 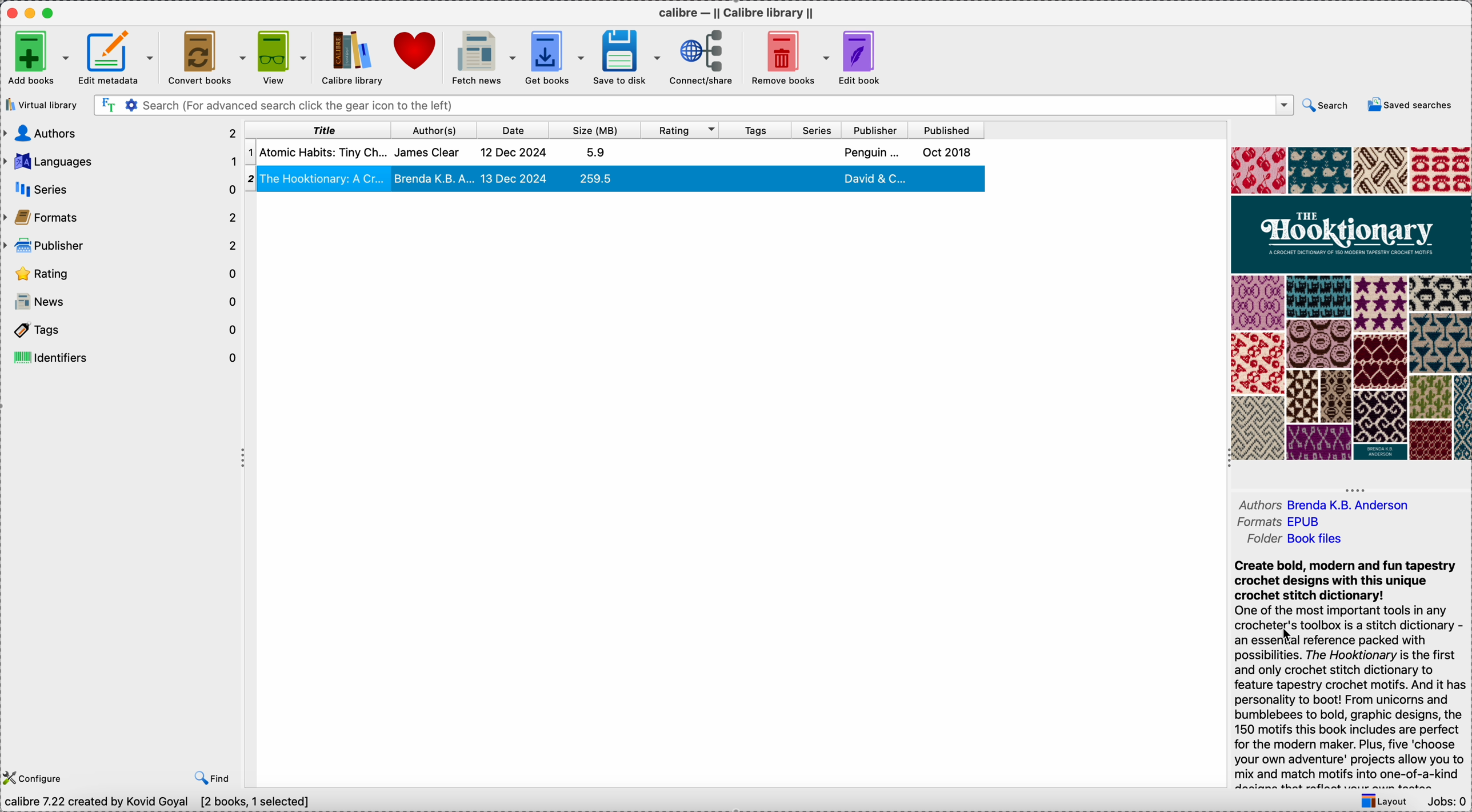 I want to click on calibre, so click(x=739, y=14).